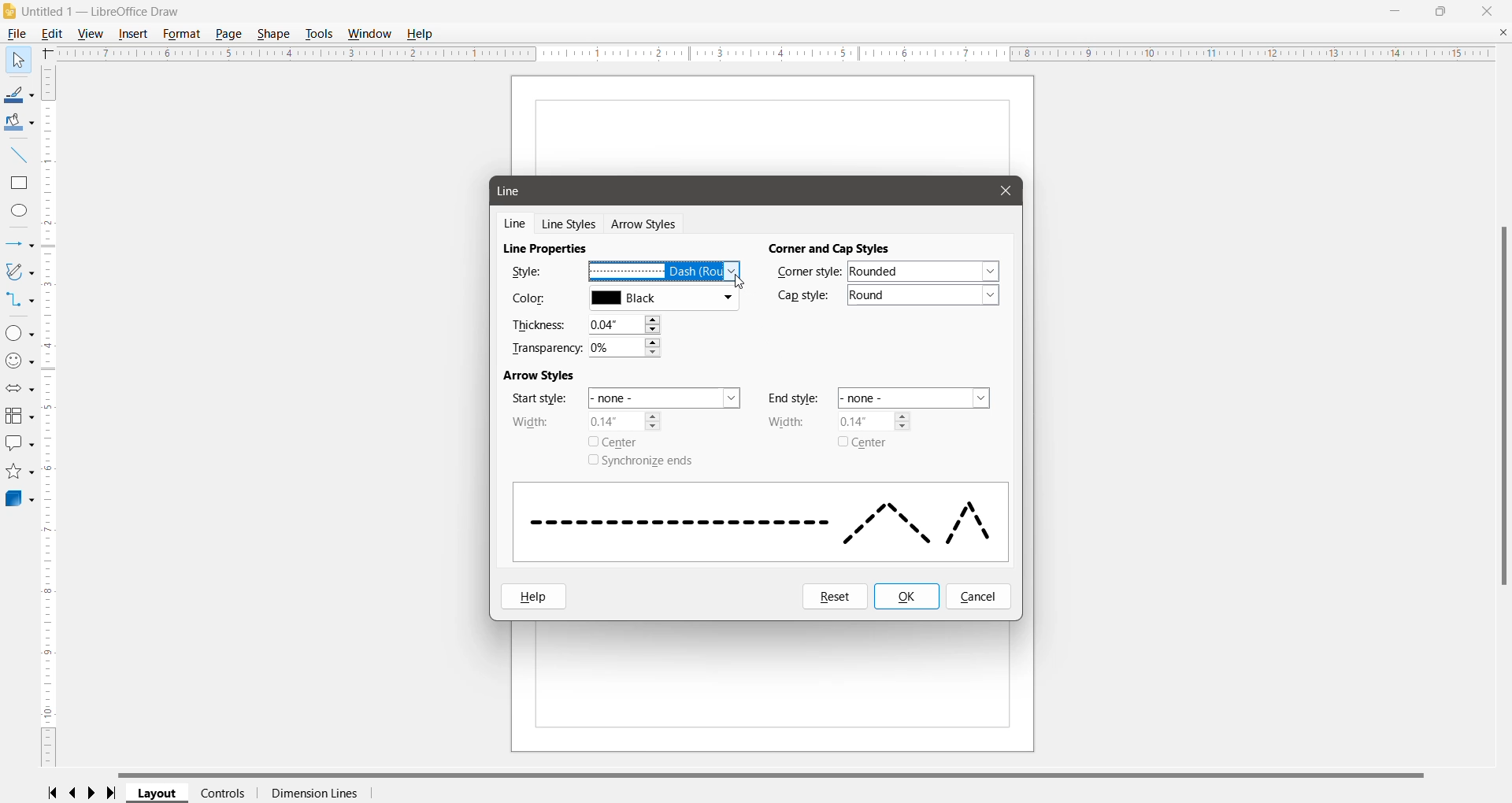 The image size is (1512, 803). What do you see at coordinates (20, 362) in the screenshot?
I see `Symbol Shapes` at bounding box center [20, 362].